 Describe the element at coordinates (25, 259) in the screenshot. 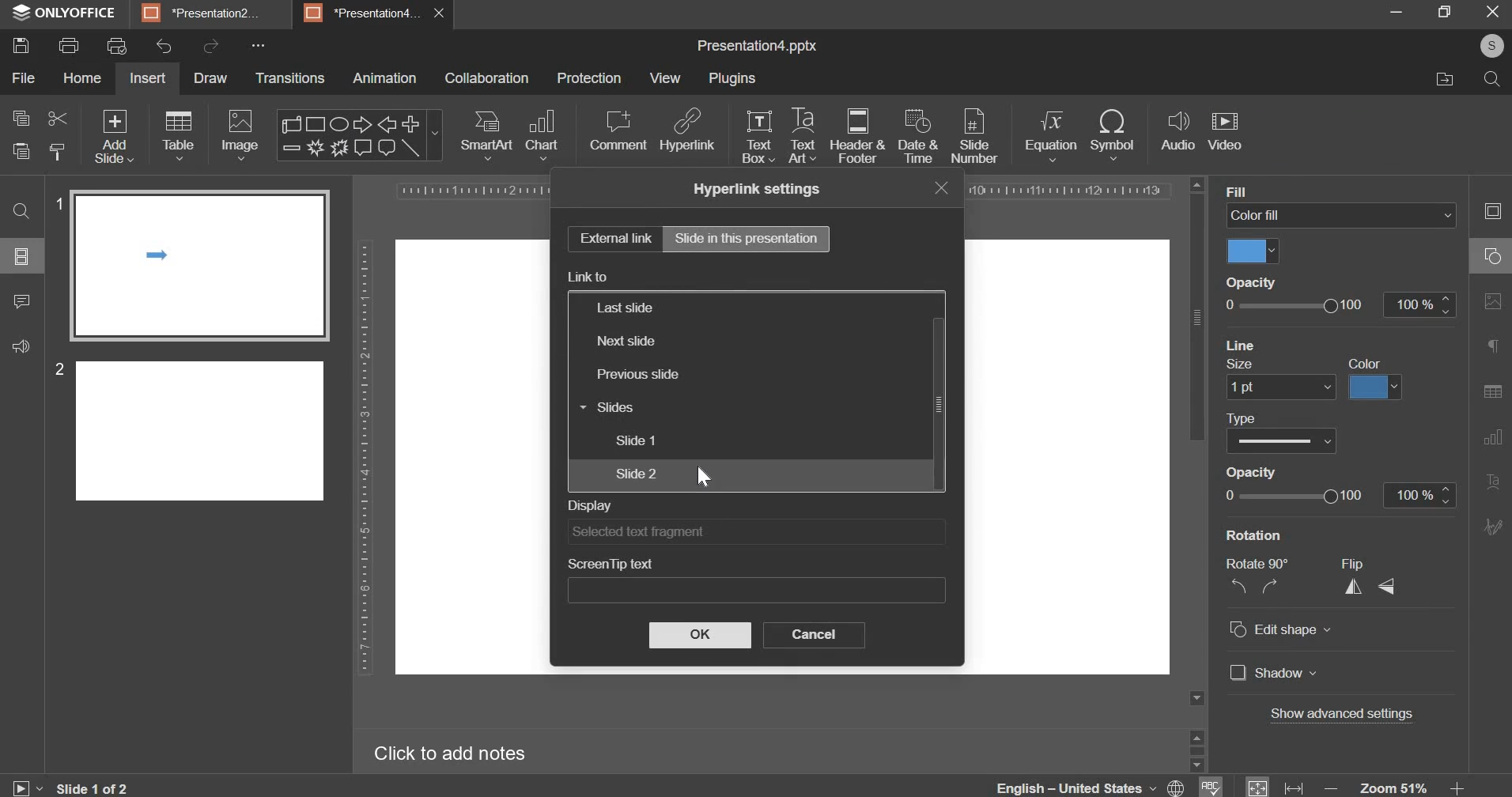

I see `` at that location.